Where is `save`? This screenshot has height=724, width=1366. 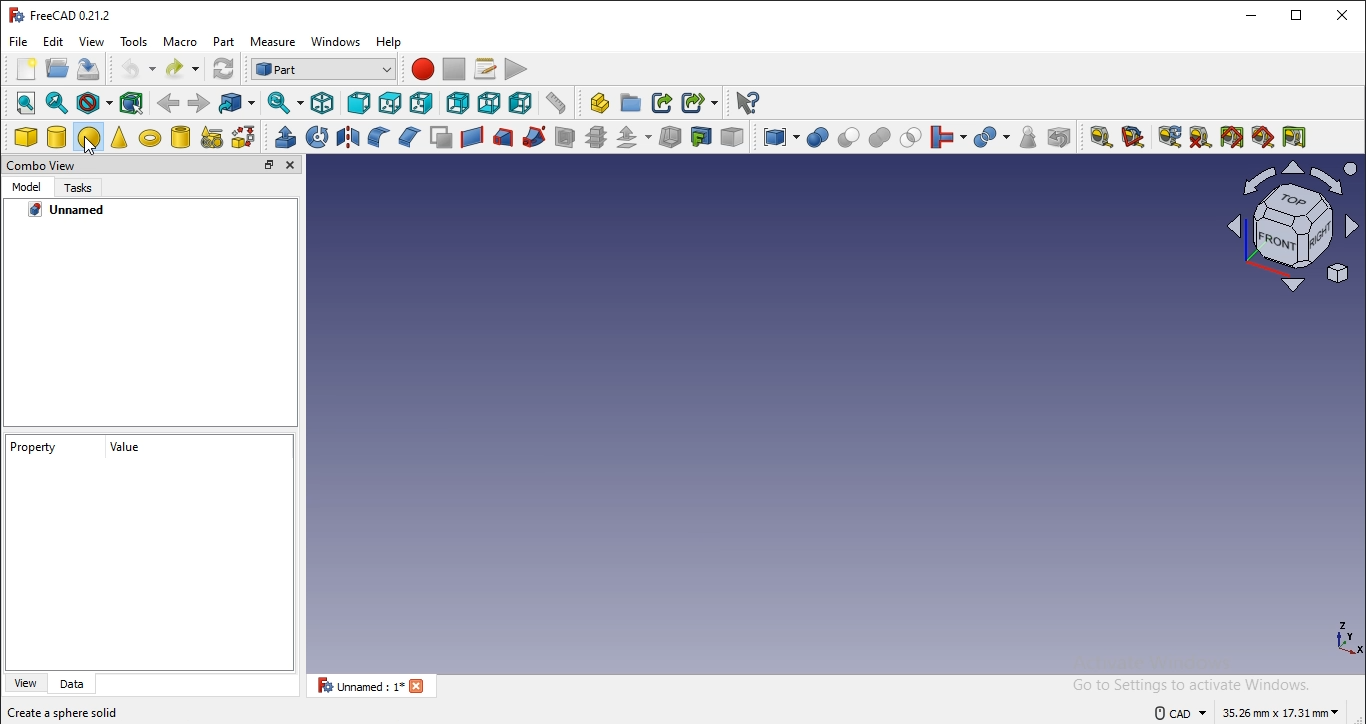 save is located at coordinates (58, 67).